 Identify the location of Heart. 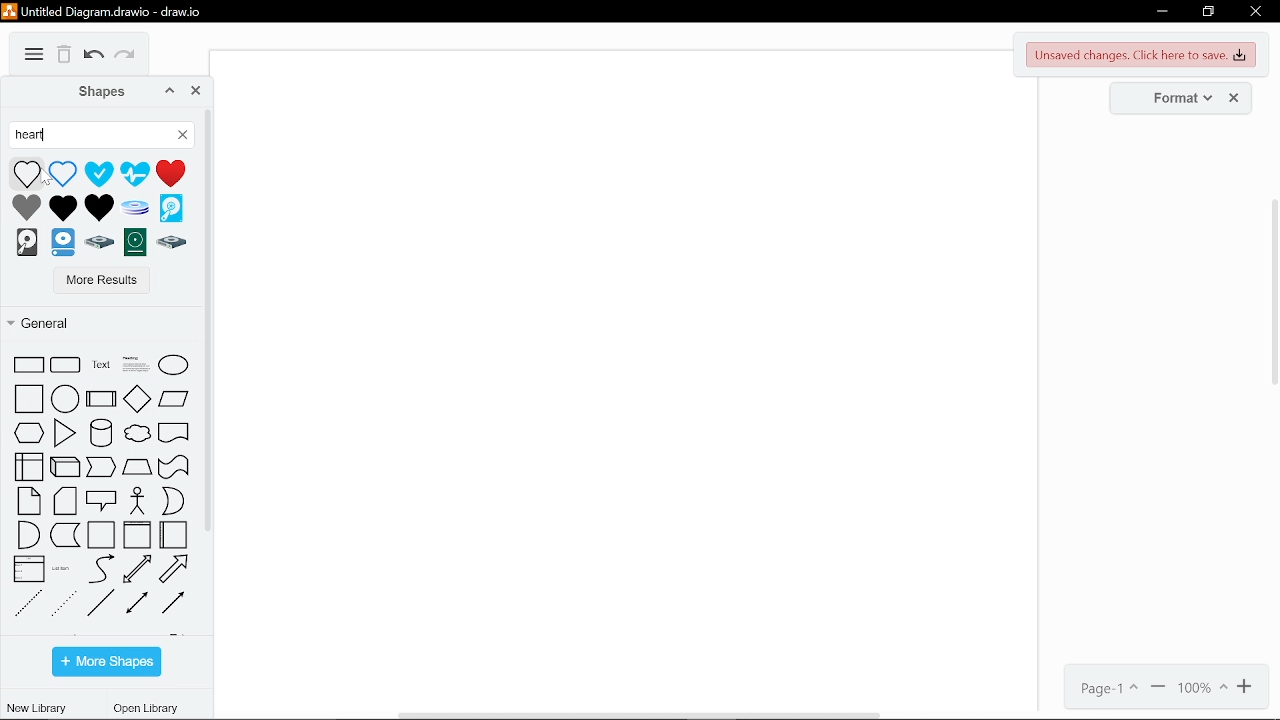
(176, 175).